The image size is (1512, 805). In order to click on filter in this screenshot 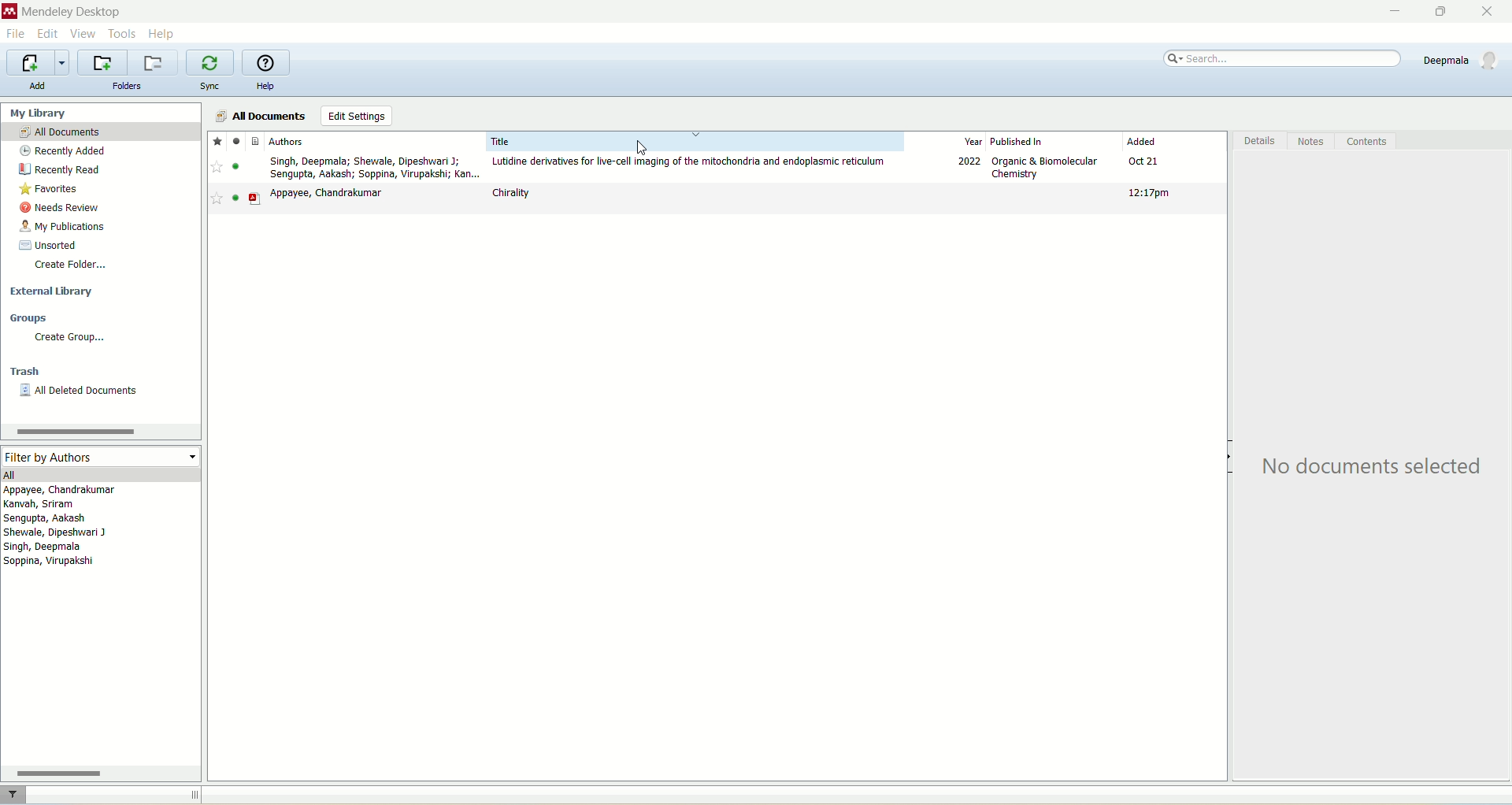, I will do `click(12, 794)`.